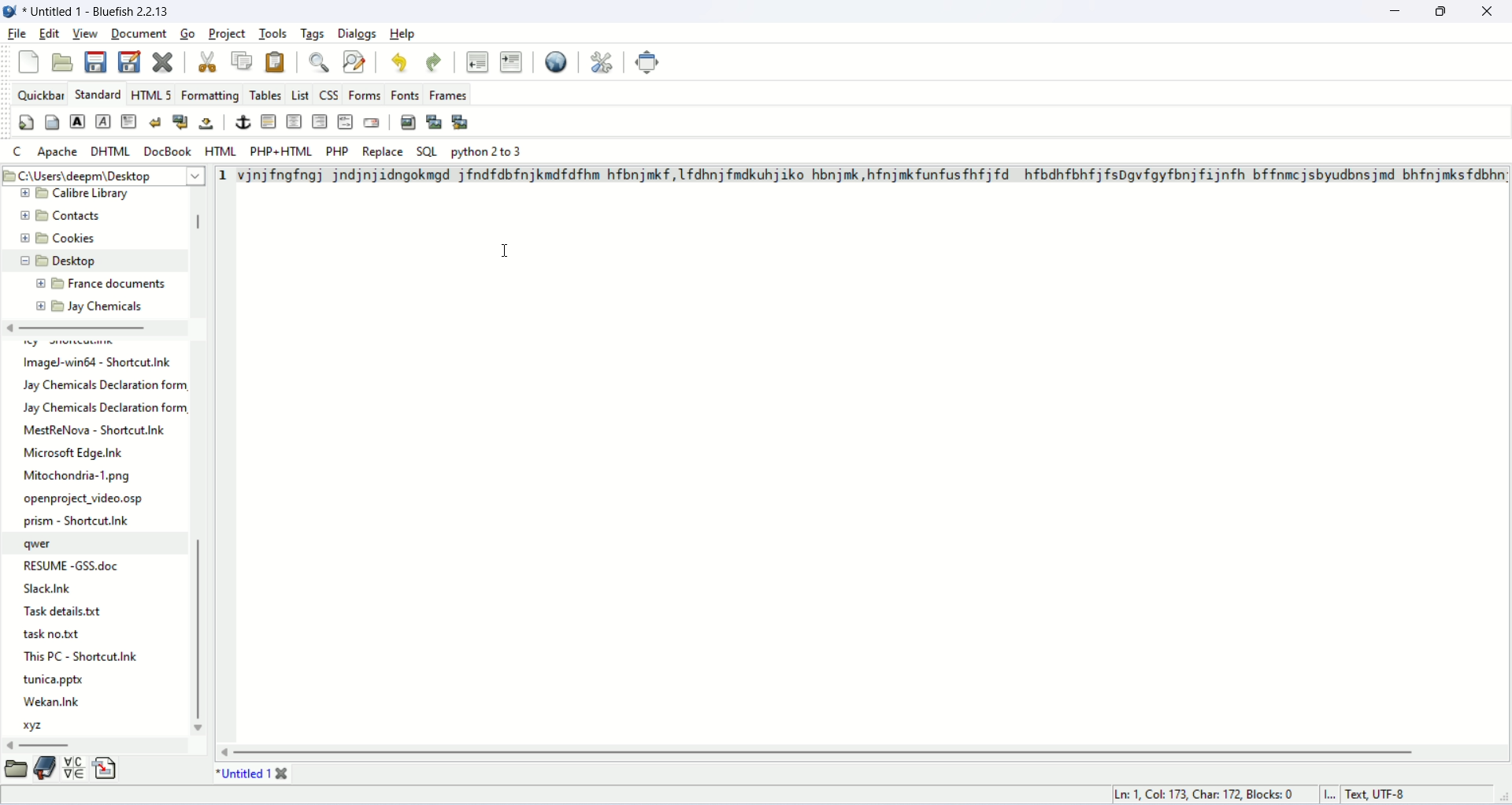  What do you see at coordinates (139, 33) in the screenshot?
I see `document` at bounding box center [139, 33].